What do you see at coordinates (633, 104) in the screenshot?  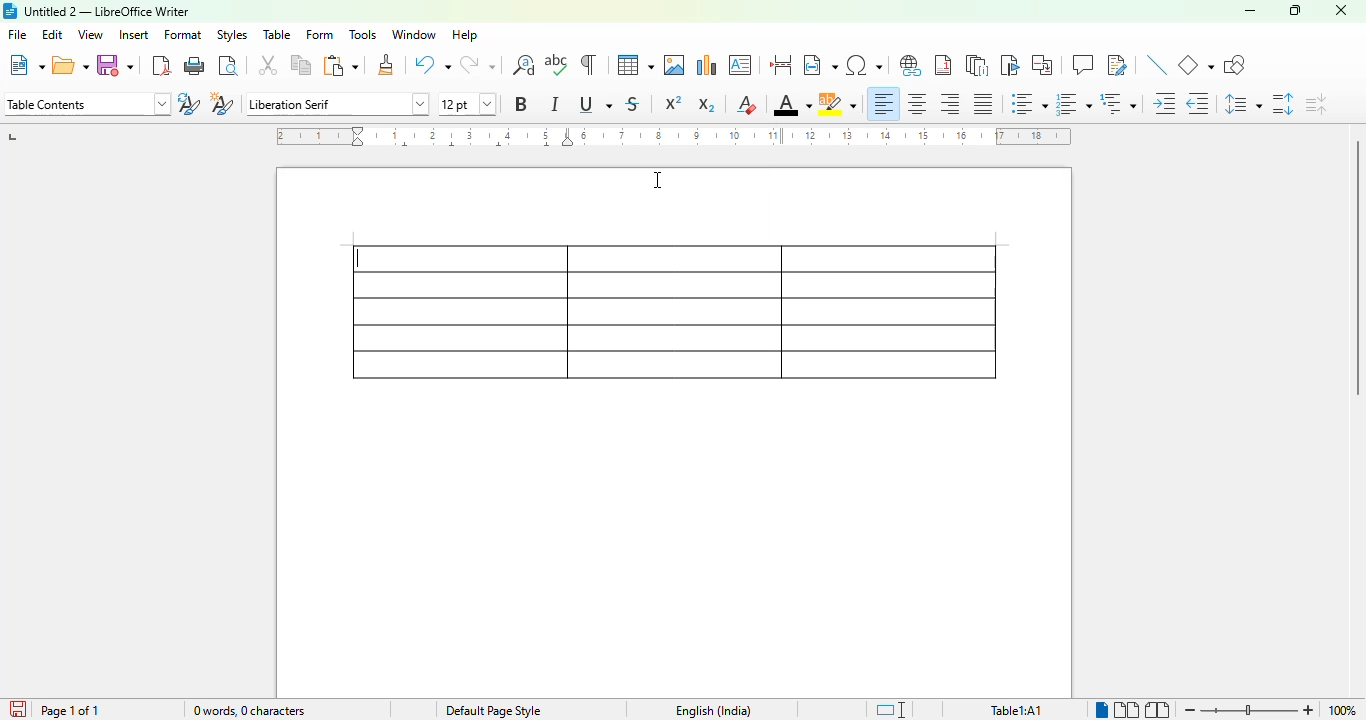 I see `strikethrough` at bounding box center [633, 104].